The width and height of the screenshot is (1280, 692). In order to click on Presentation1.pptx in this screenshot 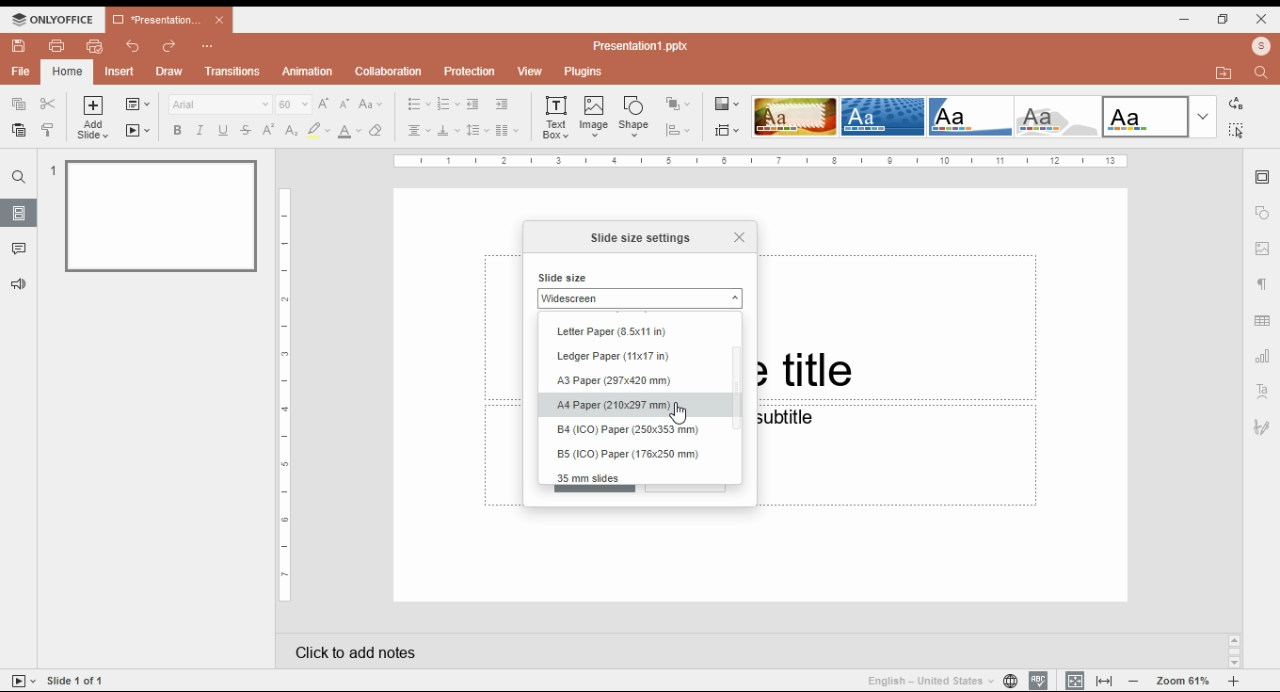, I will do `click(644, 45)`.